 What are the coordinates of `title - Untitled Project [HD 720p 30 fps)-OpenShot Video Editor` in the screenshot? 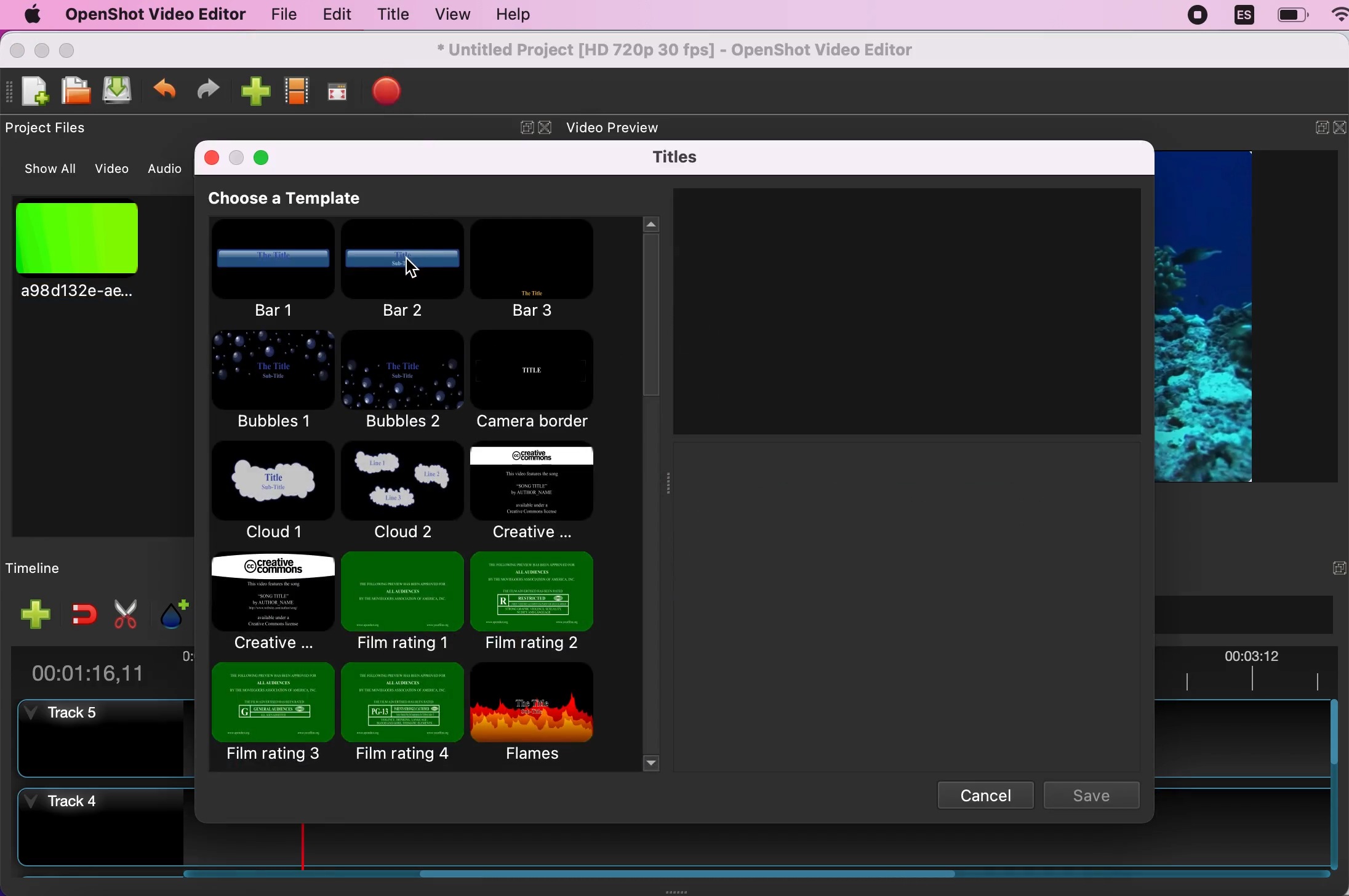 It's located at (677, 51).